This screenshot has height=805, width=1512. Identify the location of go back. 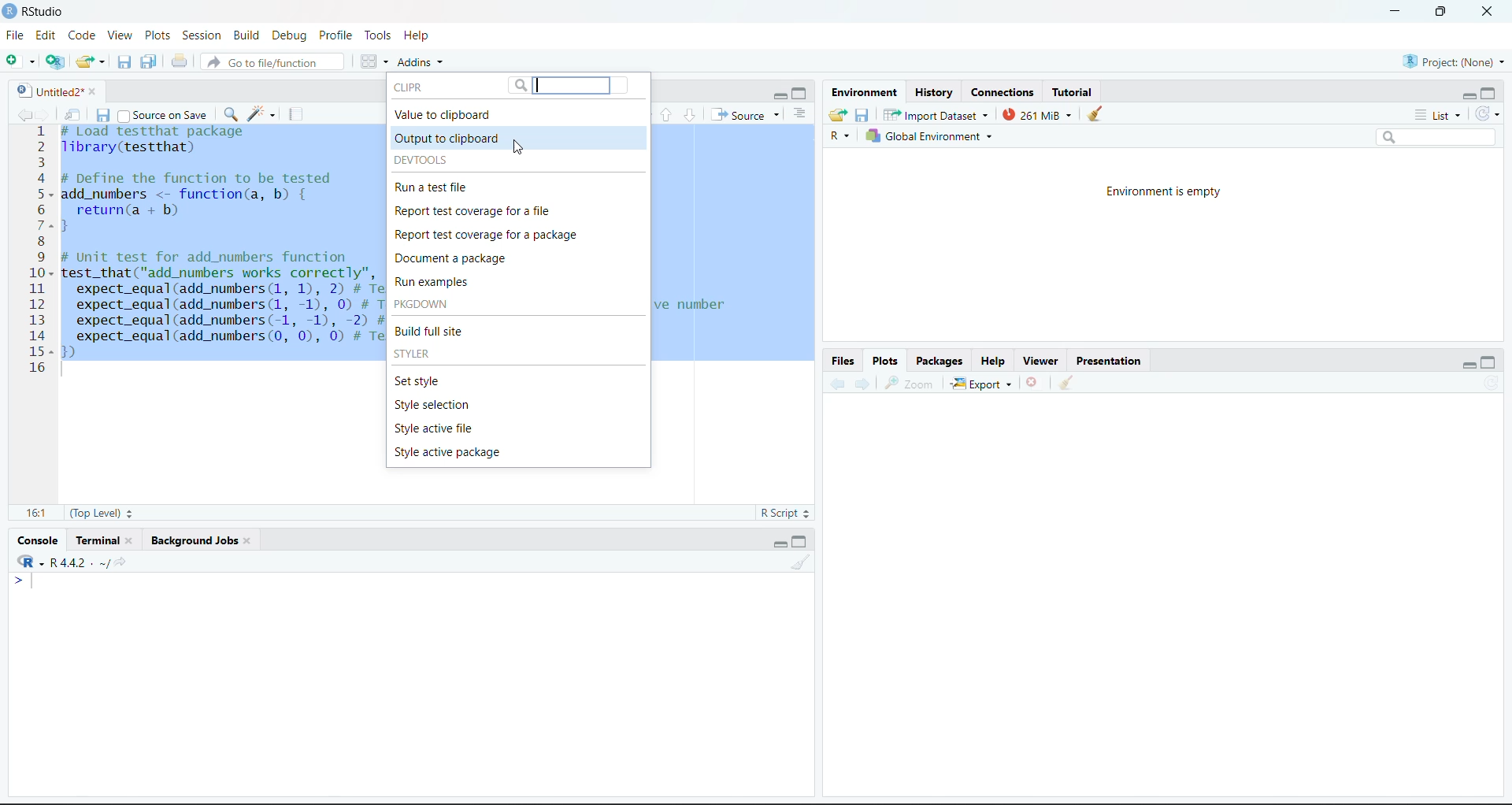
(23, 114).